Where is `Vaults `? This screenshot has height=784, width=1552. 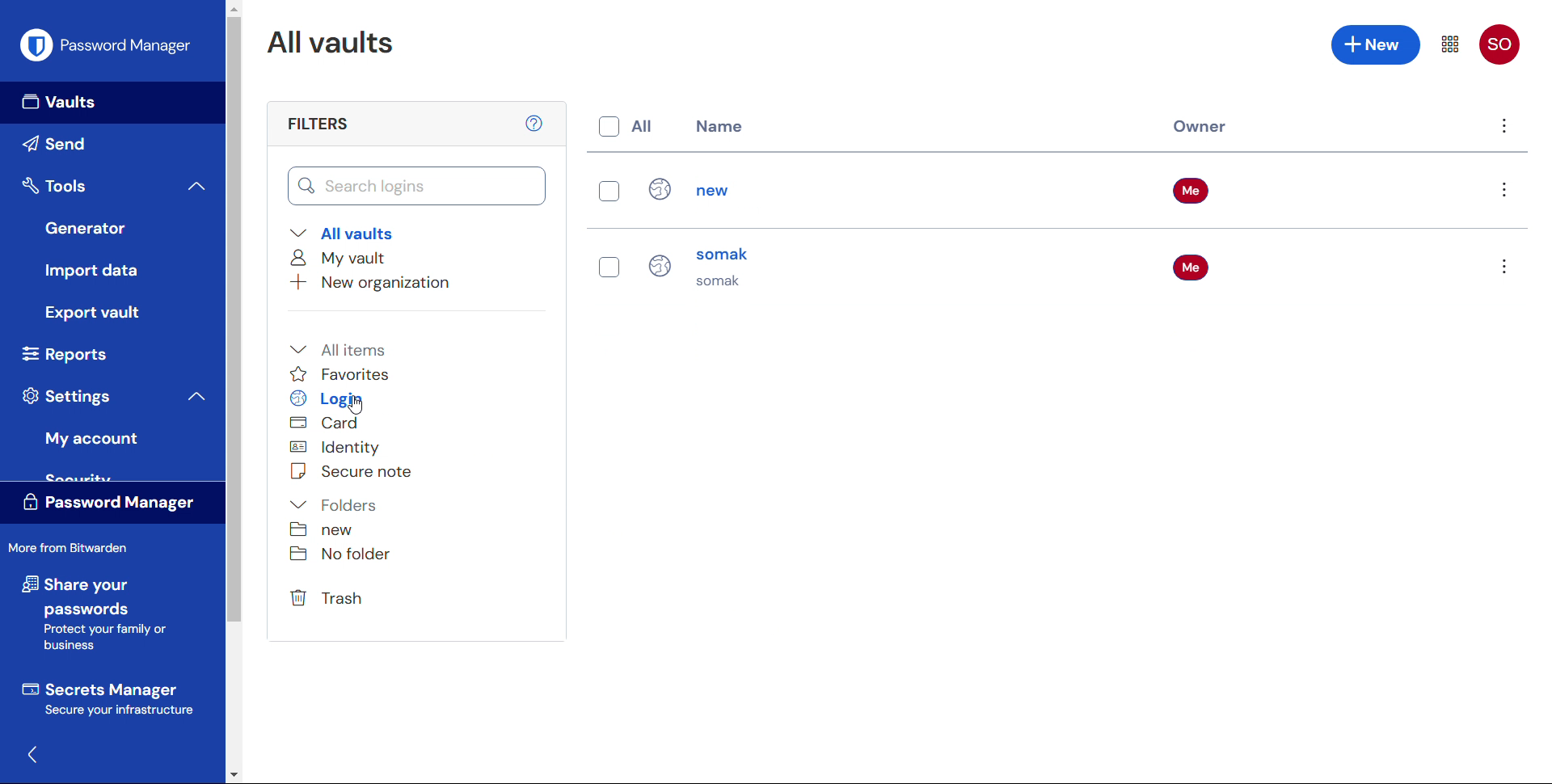 Vaults  is located at coordinates (112, 102).